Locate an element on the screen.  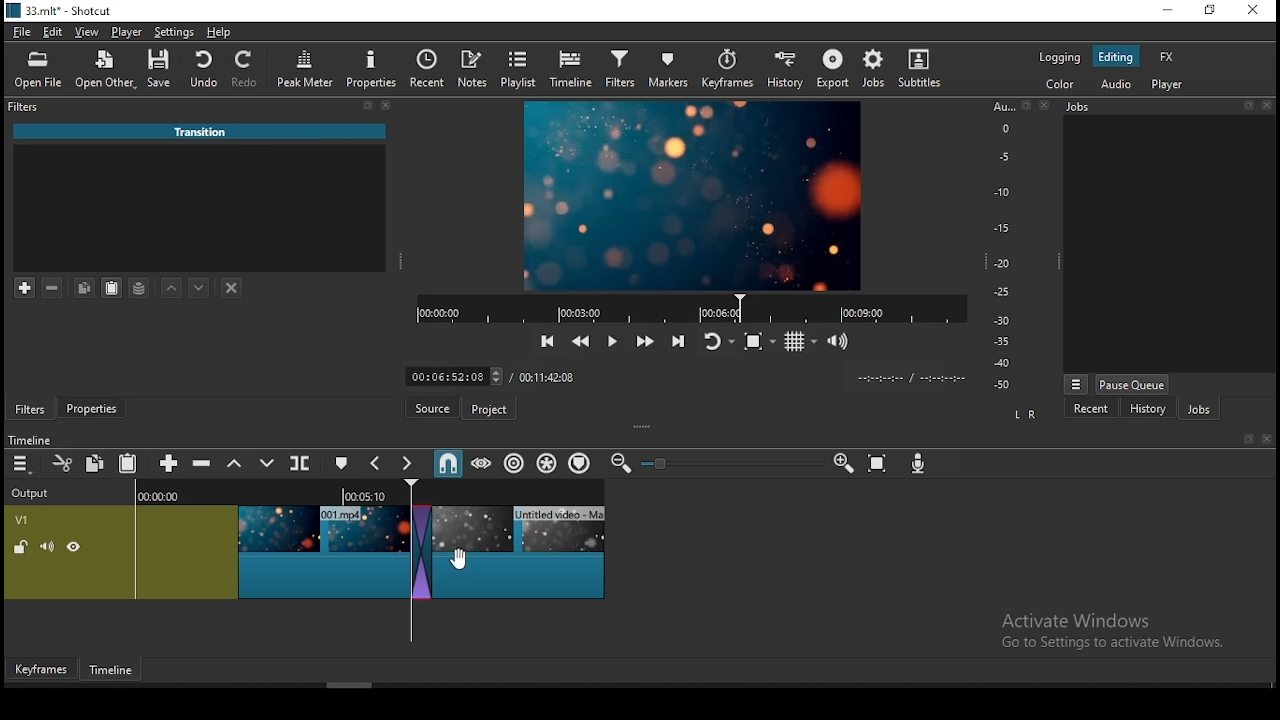
ripple is located at coordinates (515, 464).